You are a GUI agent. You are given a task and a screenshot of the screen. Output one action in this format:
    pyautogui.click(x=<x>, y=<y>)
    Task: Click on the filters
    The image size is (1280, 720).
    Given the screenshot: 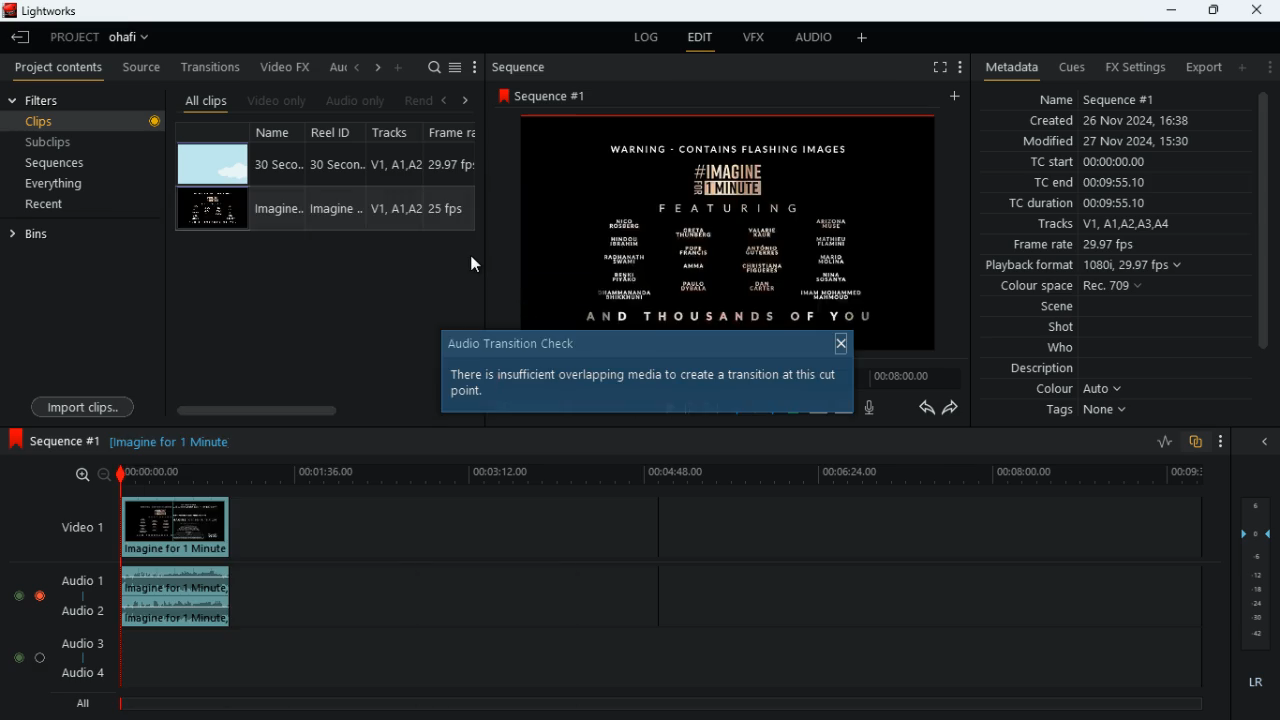 What is the action you would take?
    pyautogui.click(x=38, y=100)
    